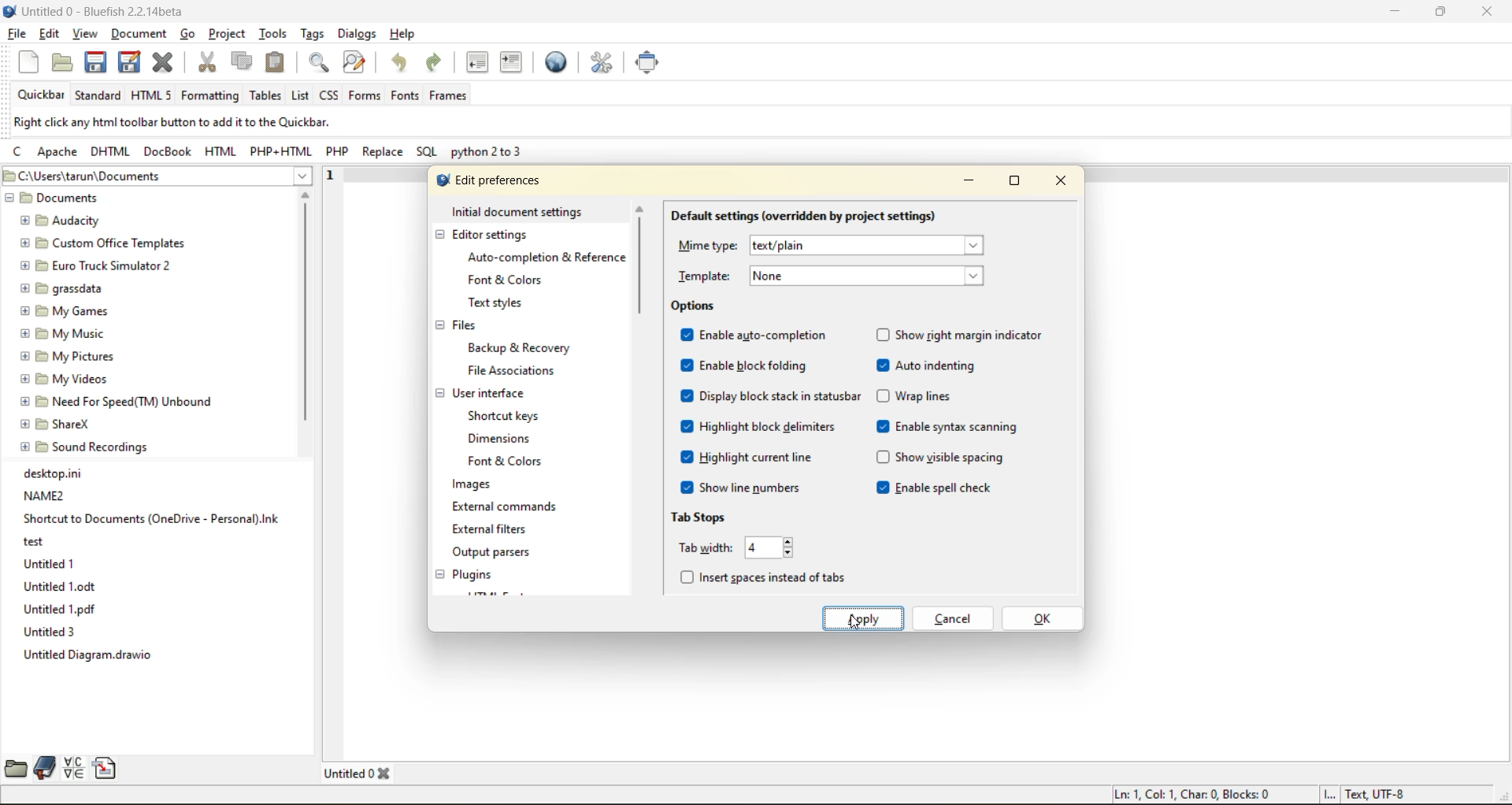 This screenshot has width=1512, height=805. Describe the element at coordinates (949, 426) in the screenshot. I see `enable syntax scanning` at that location.